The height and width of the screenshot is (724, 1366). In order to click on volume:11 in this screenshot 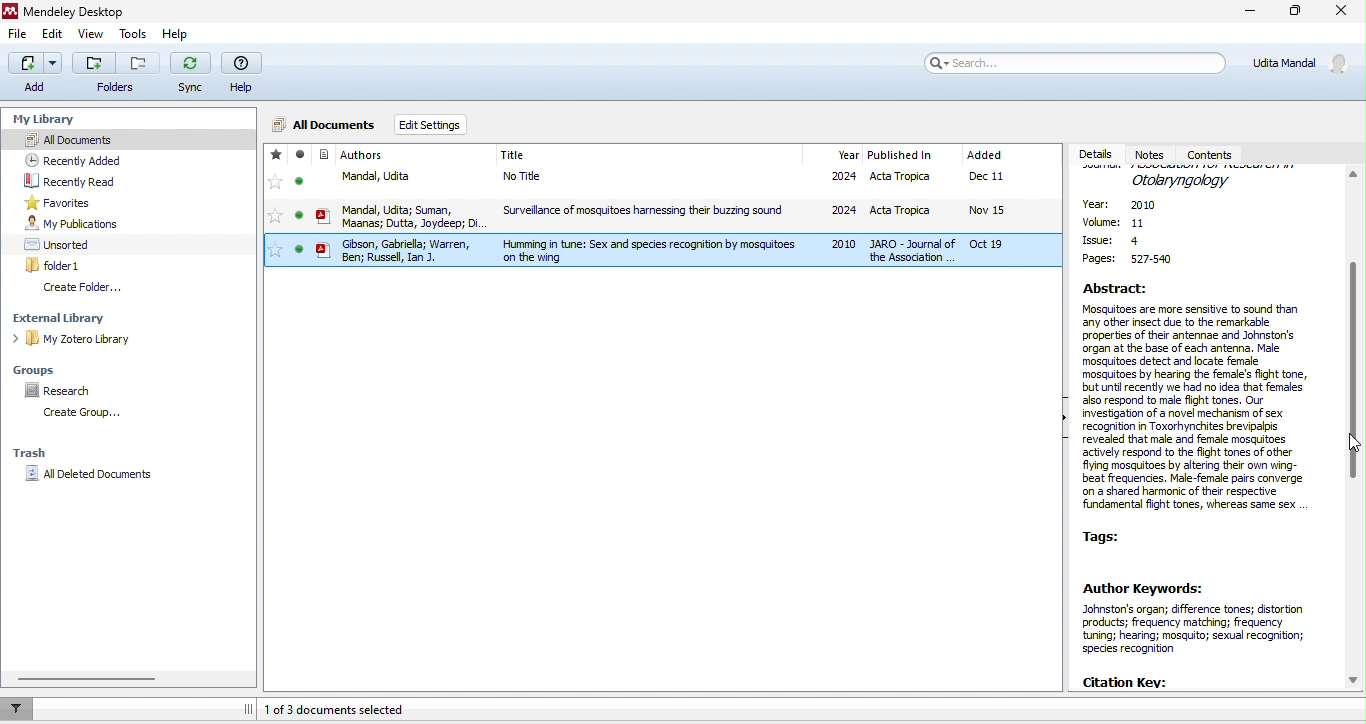, I will do `click(1124, 226)`.